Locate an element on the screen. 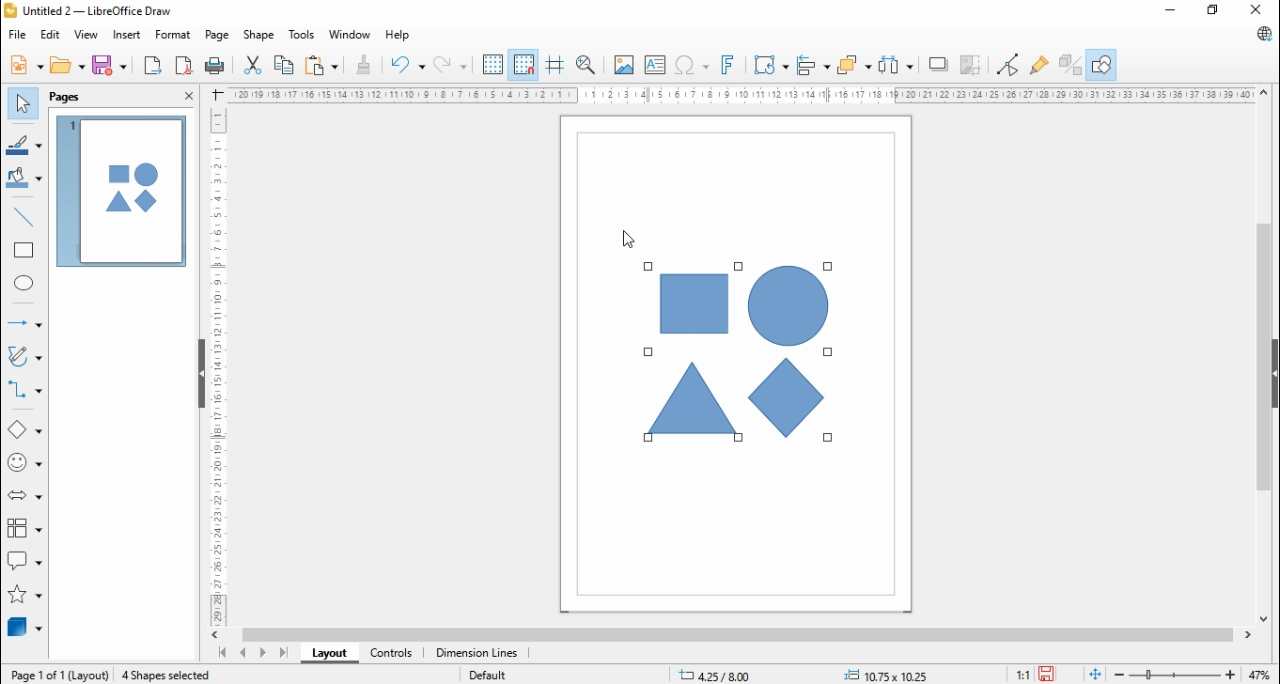  first page is located at coordinates (220, 653).